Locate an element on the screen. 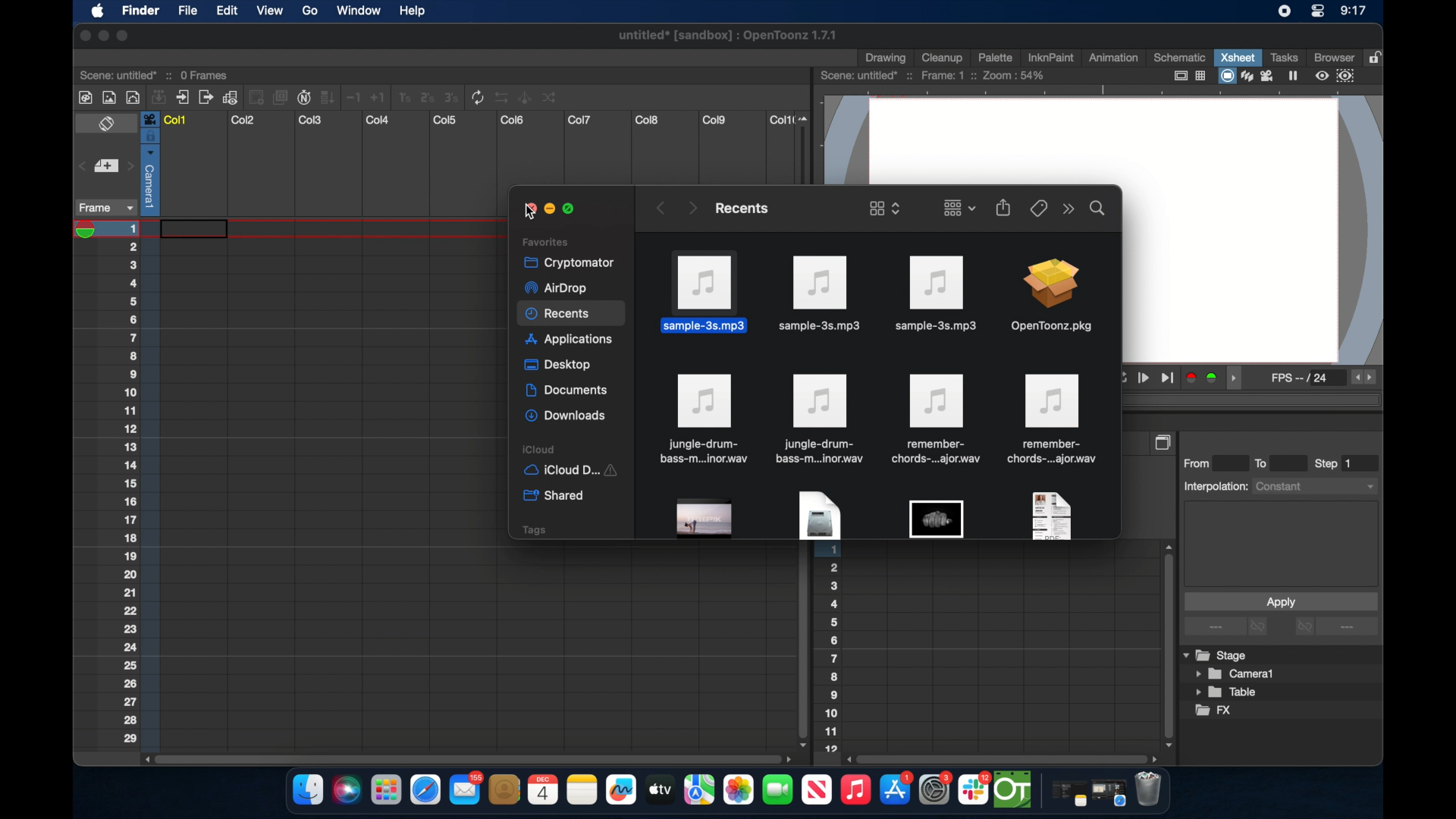 This screenshot has width=1456, height=819. preview is located at coordinates (1337, 76).